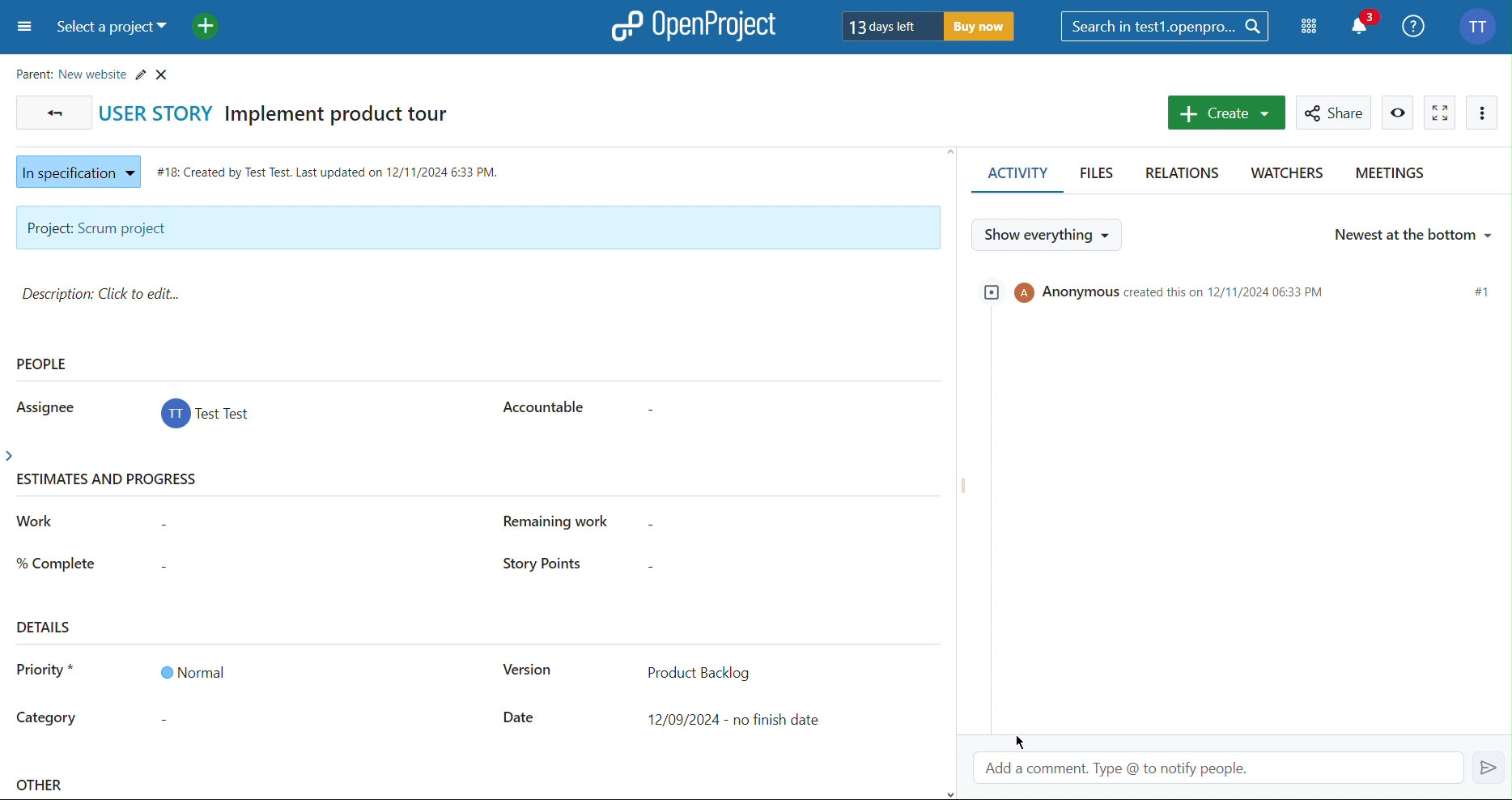 The width and height of the screenshot is (1512, 800). I want to click on 12/09/2024, so click(738, 720).